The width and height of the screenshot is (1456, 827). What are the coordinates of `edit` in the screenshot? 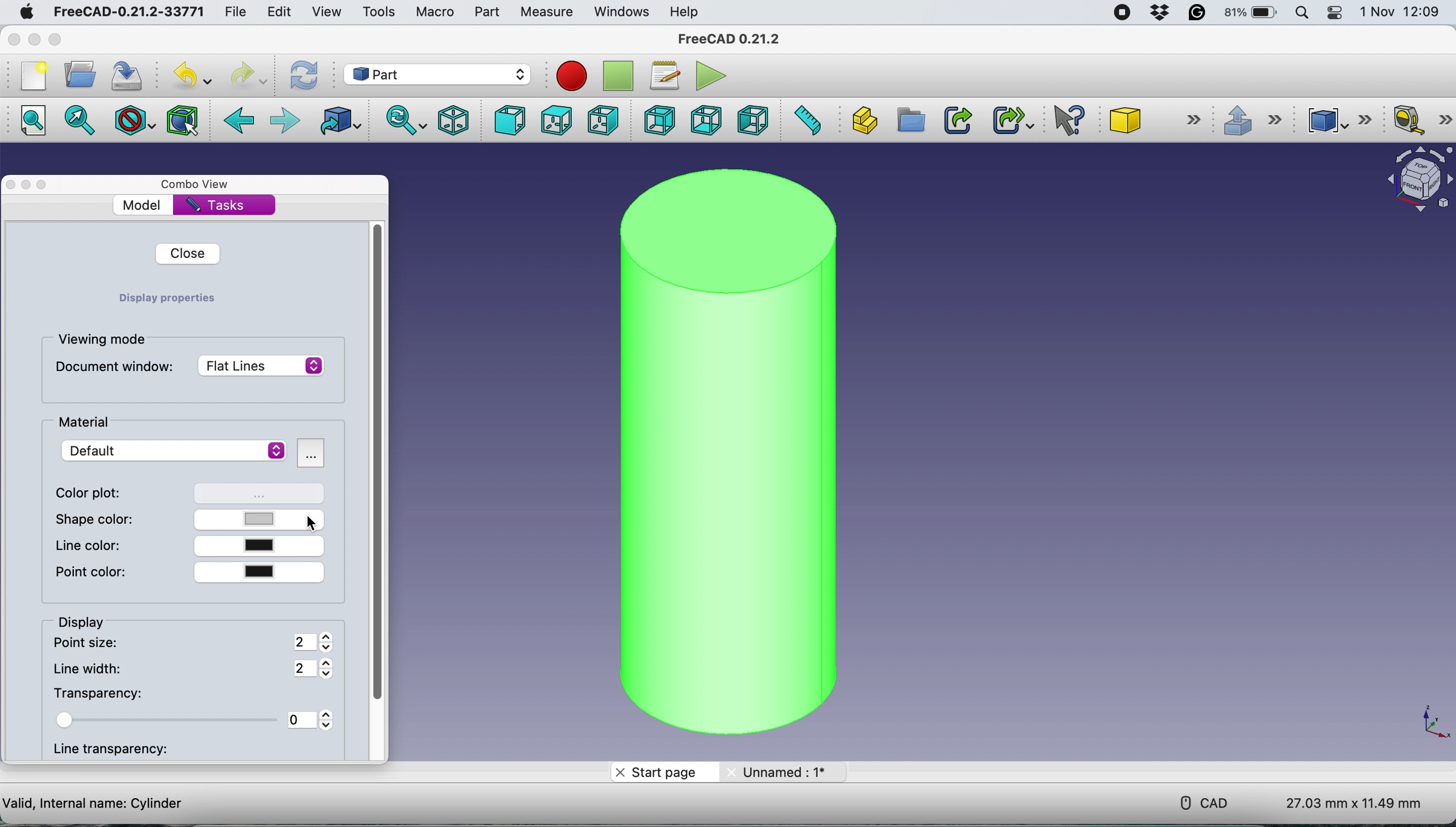 It's located at (282, 13).